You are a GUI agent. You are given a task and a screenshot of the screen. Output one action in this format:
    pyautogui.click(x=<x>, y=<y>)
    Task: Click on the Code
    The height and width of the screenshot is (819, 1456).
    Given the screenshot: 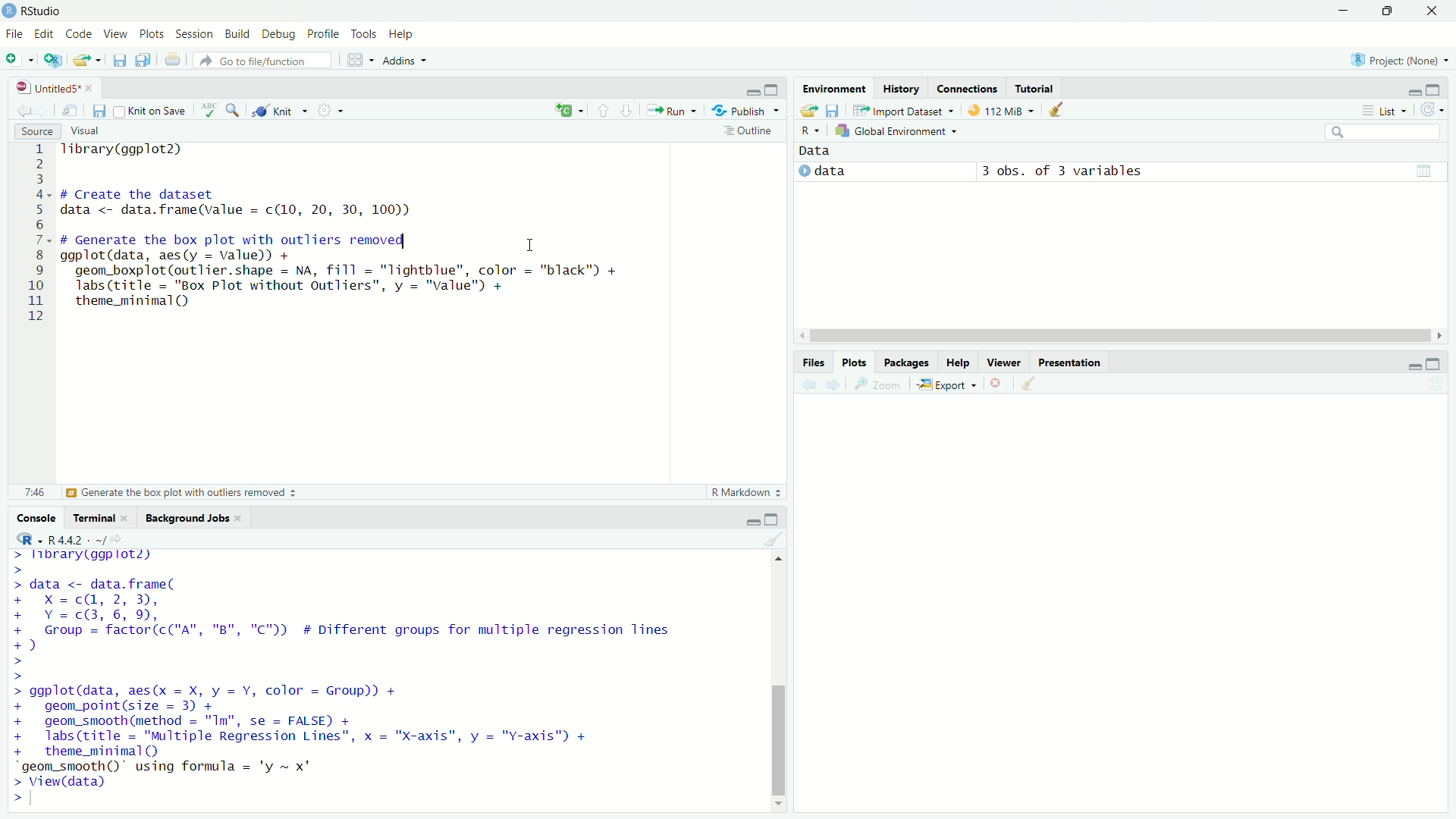 What is the action you would take?
    pyautogui.click(x=79, y=34)
    